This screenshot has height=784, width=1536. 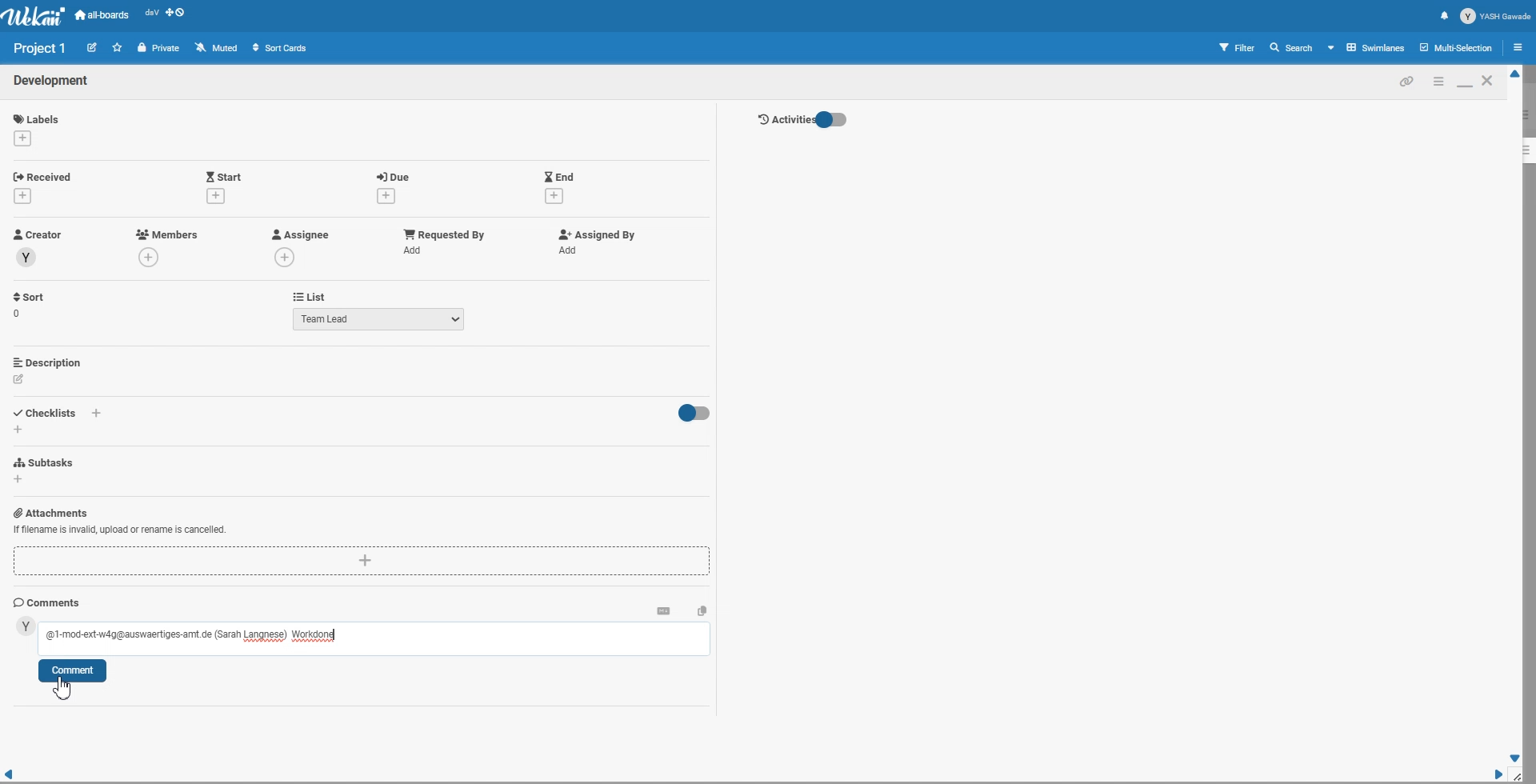 I want to click on Comment, so click(x=72, y=671).